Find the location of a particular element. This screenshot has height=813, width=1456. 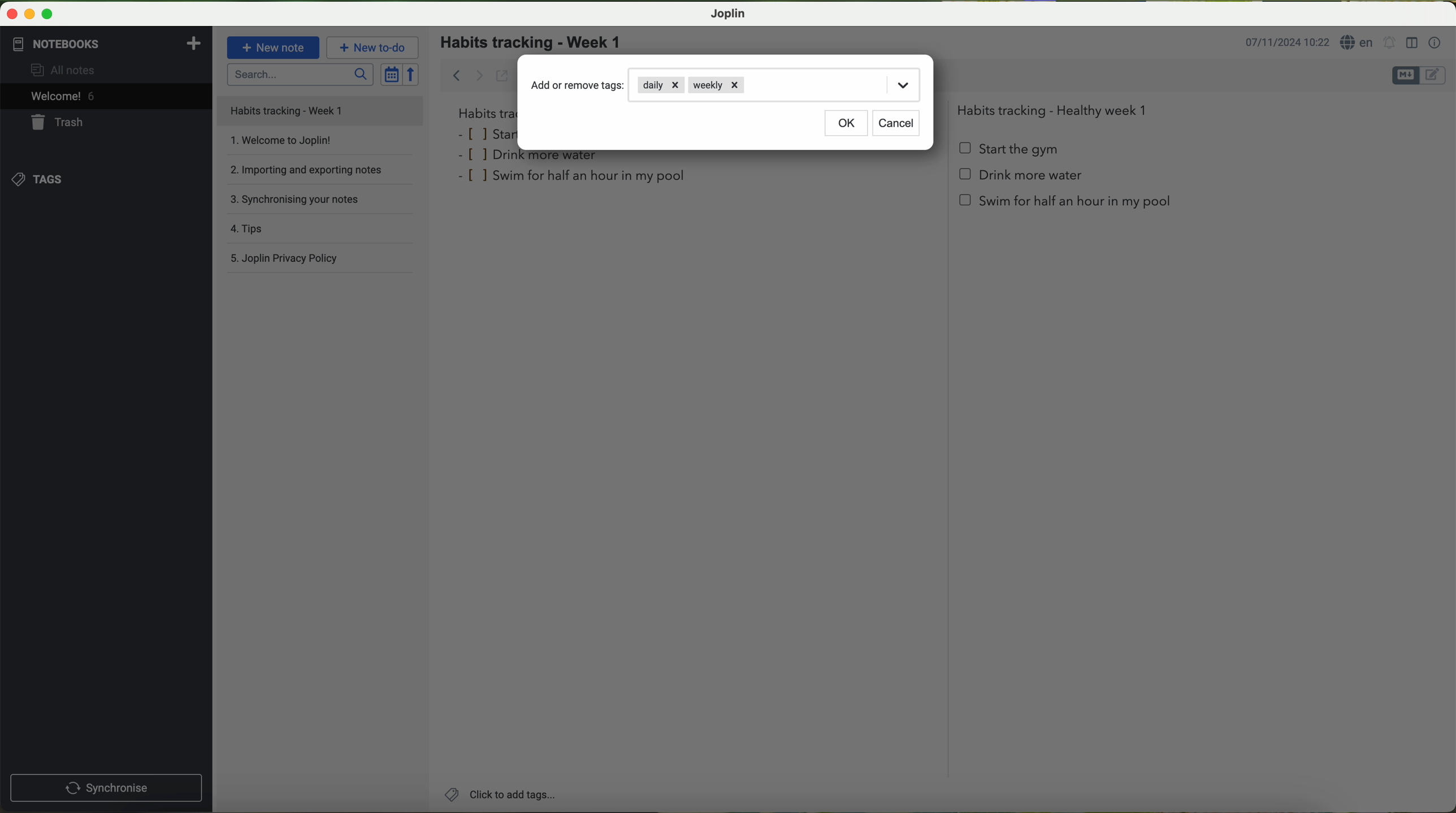

drink more water is located at coordinates (533, 158).